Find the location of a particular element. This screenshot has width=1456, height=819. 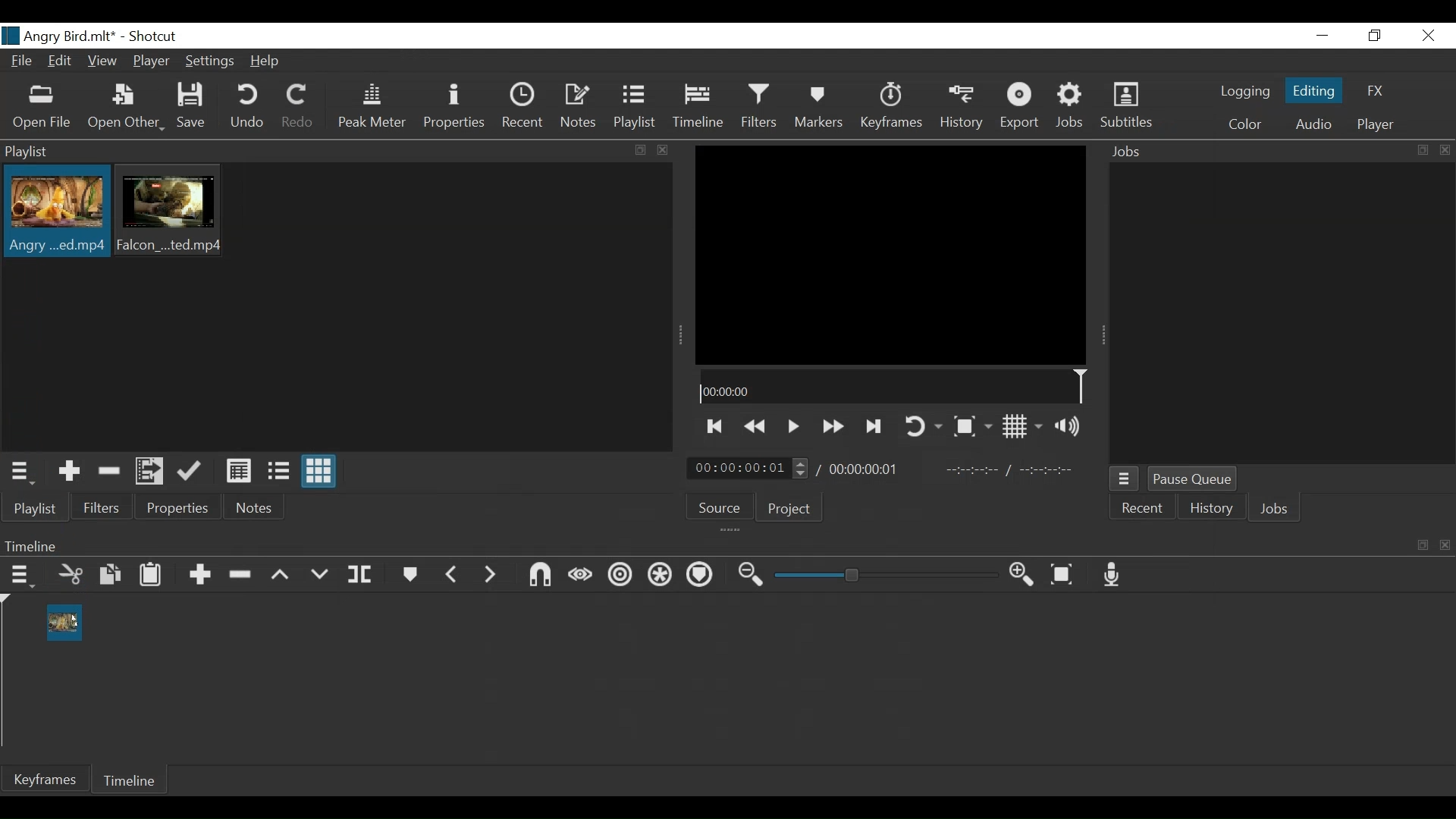

View is located at coordinates (102, 63).